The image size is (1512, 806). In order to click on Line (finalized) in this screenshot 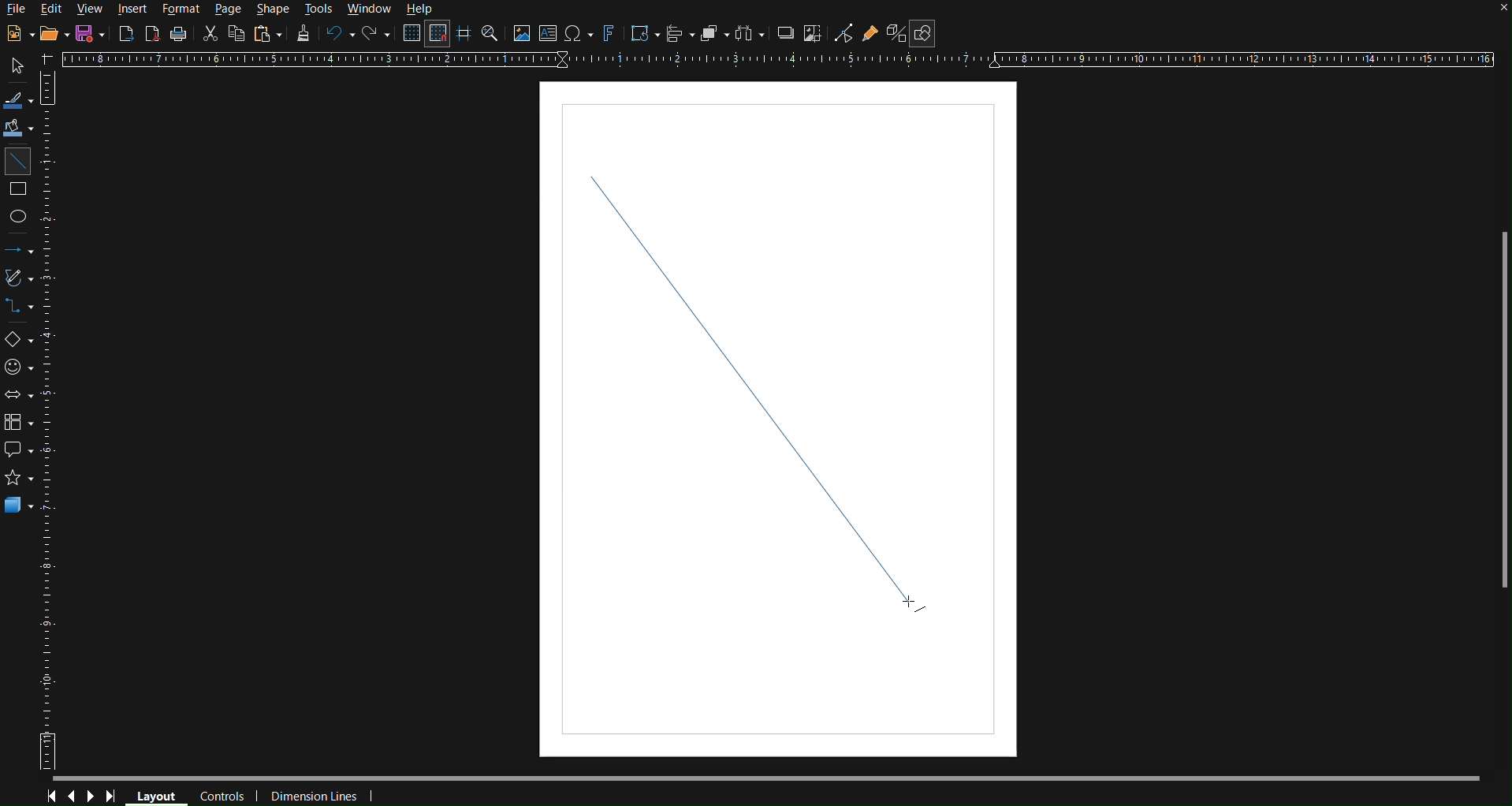, I will do `click(762, 396)`.